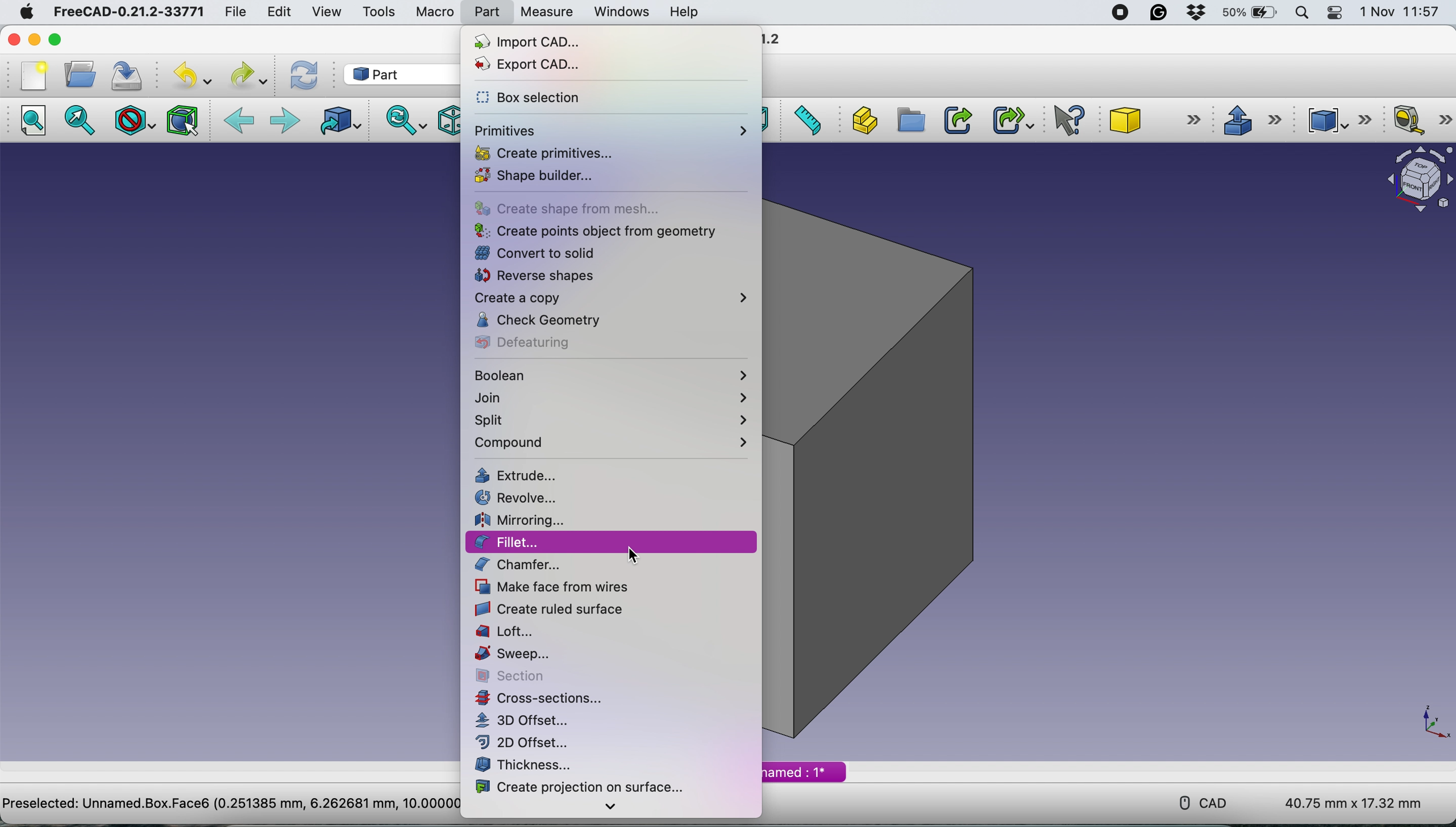 The image size is (1456, 827). What do you see at coordinates (402, 121) in the screenshot?
I see `sync view` at bounding box center [402, 121].